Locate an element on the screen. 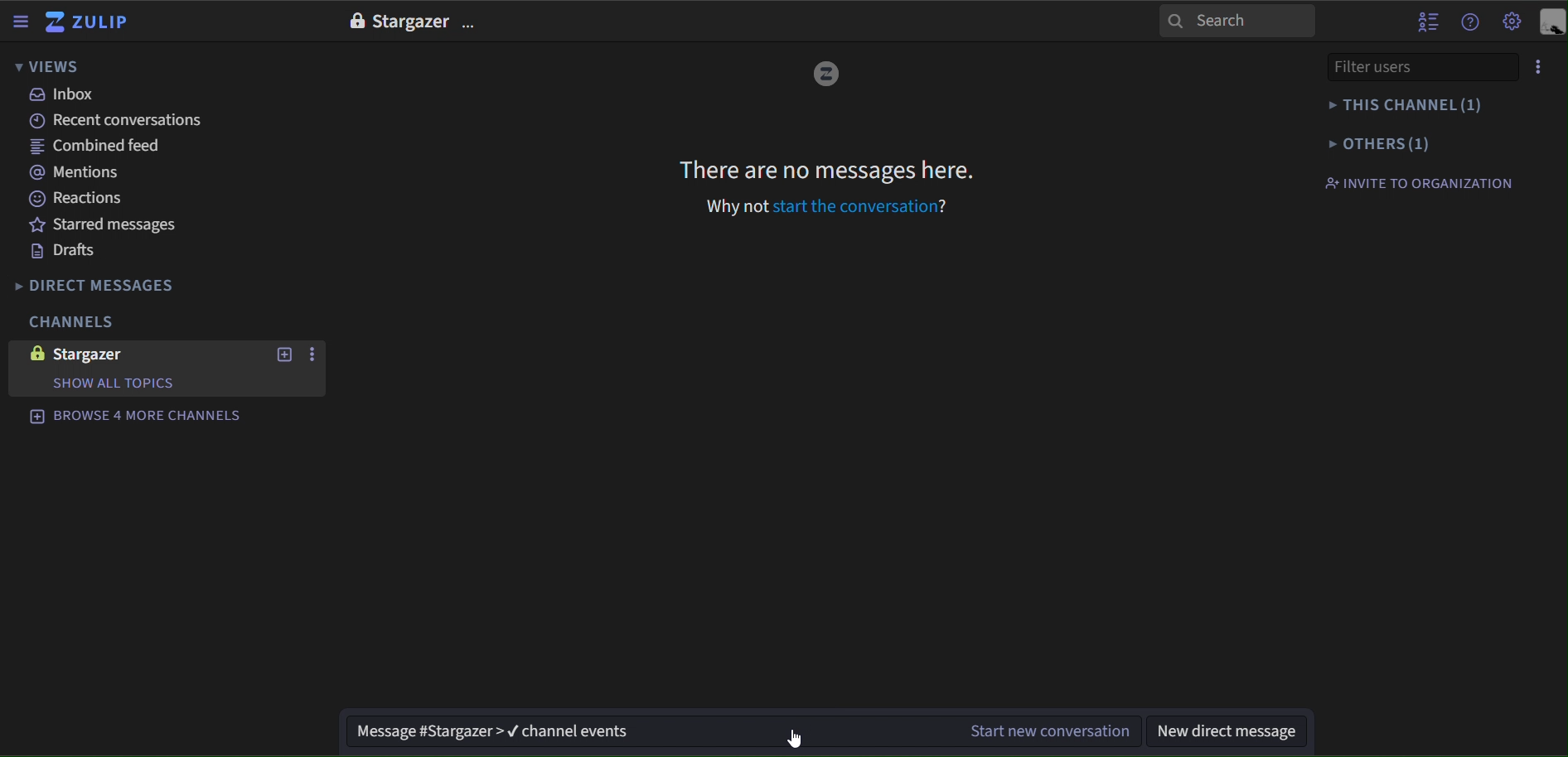 This screenshot has height=757, width=1568. show all topics is located at coordinates (112, 383).